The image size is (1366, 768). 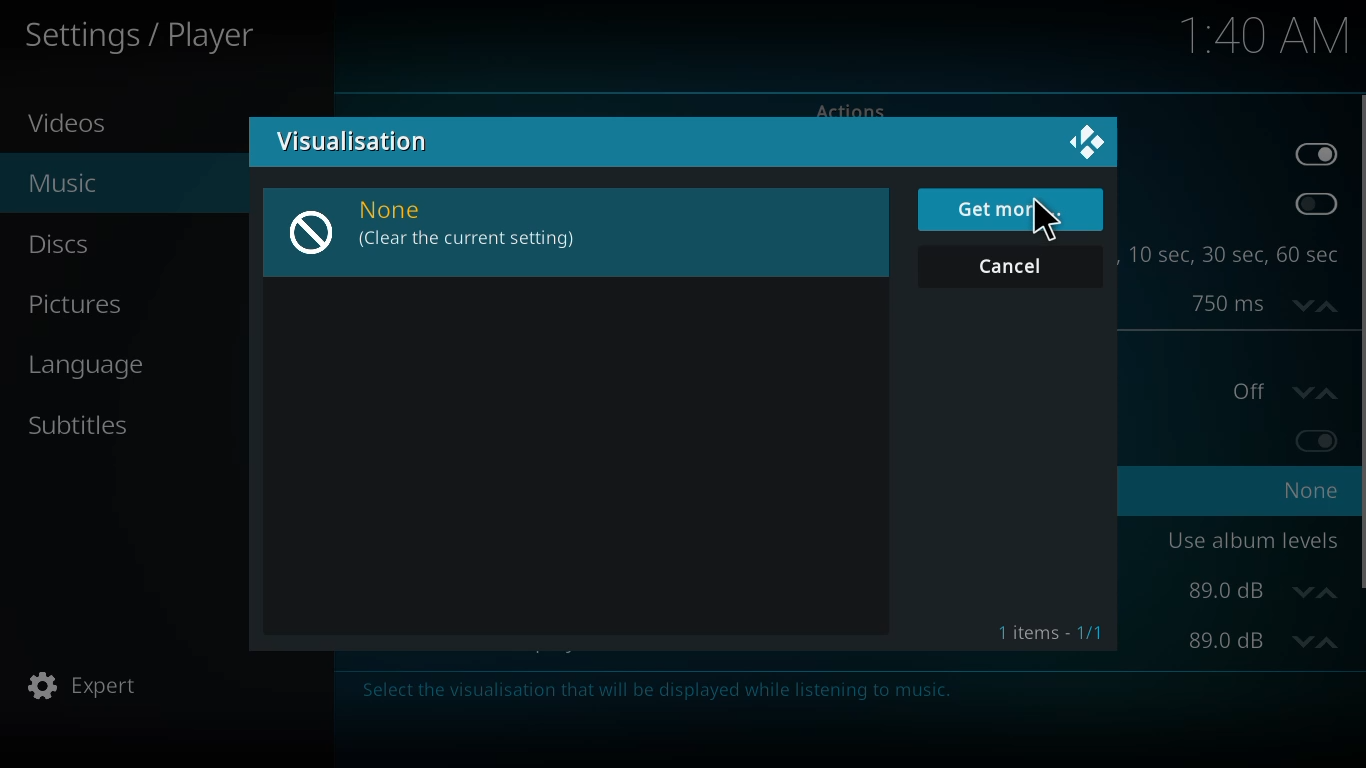 What do you see at coordinates (1047, 218) in the screenshot?
I see `cursor` at bounding box center [1047, 218].